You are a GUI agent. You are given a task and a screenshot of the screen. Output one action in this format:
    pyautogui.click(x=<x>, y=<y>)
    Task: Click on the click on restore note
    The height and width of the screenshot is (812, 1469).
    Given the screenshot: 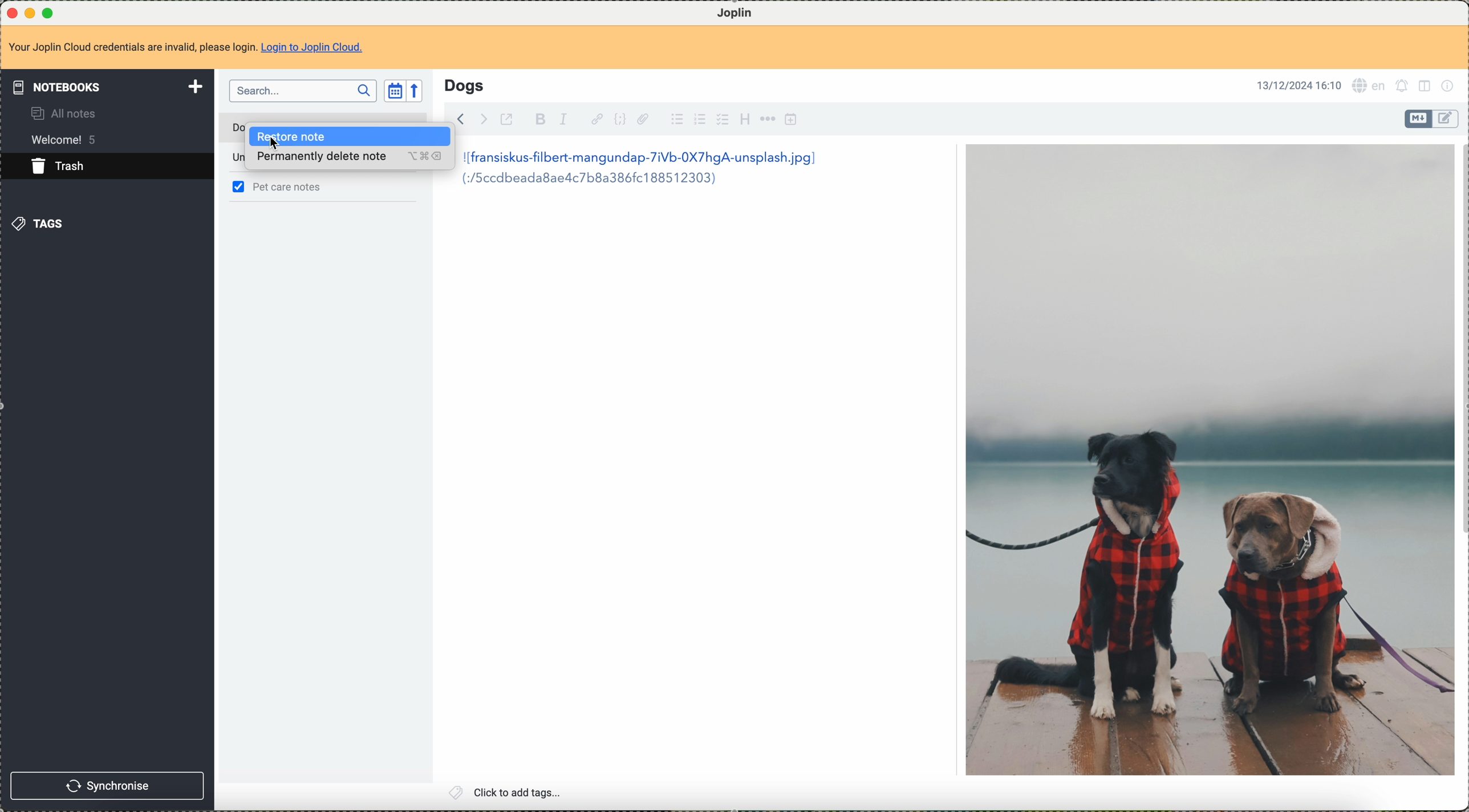 What is the action you would take?
    pyautogui.click(x=349, y=136)
    